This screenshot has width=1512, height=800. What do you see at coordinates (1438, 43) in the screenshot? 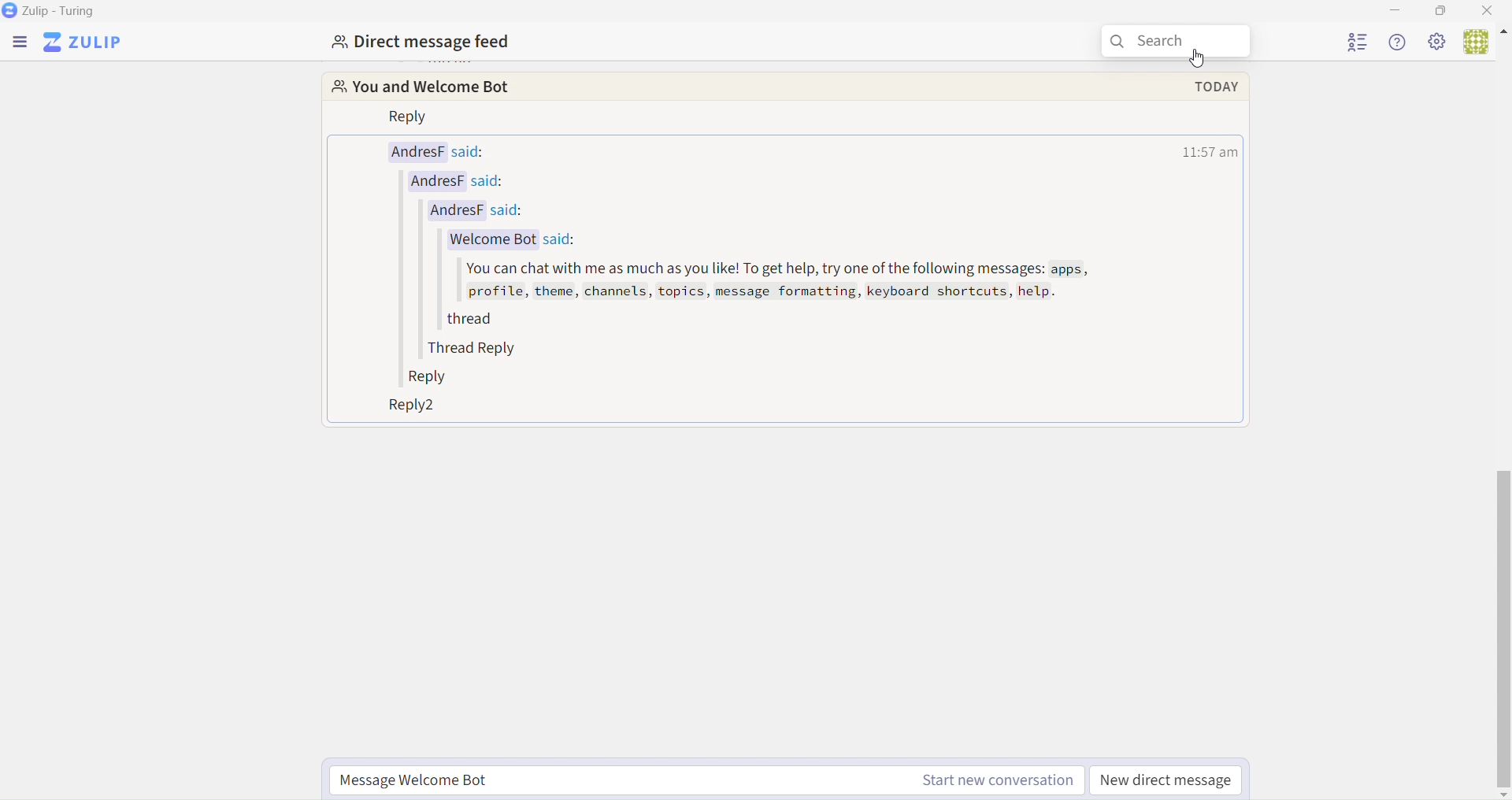
I see `Settings` at bounding box center [1438, 43].